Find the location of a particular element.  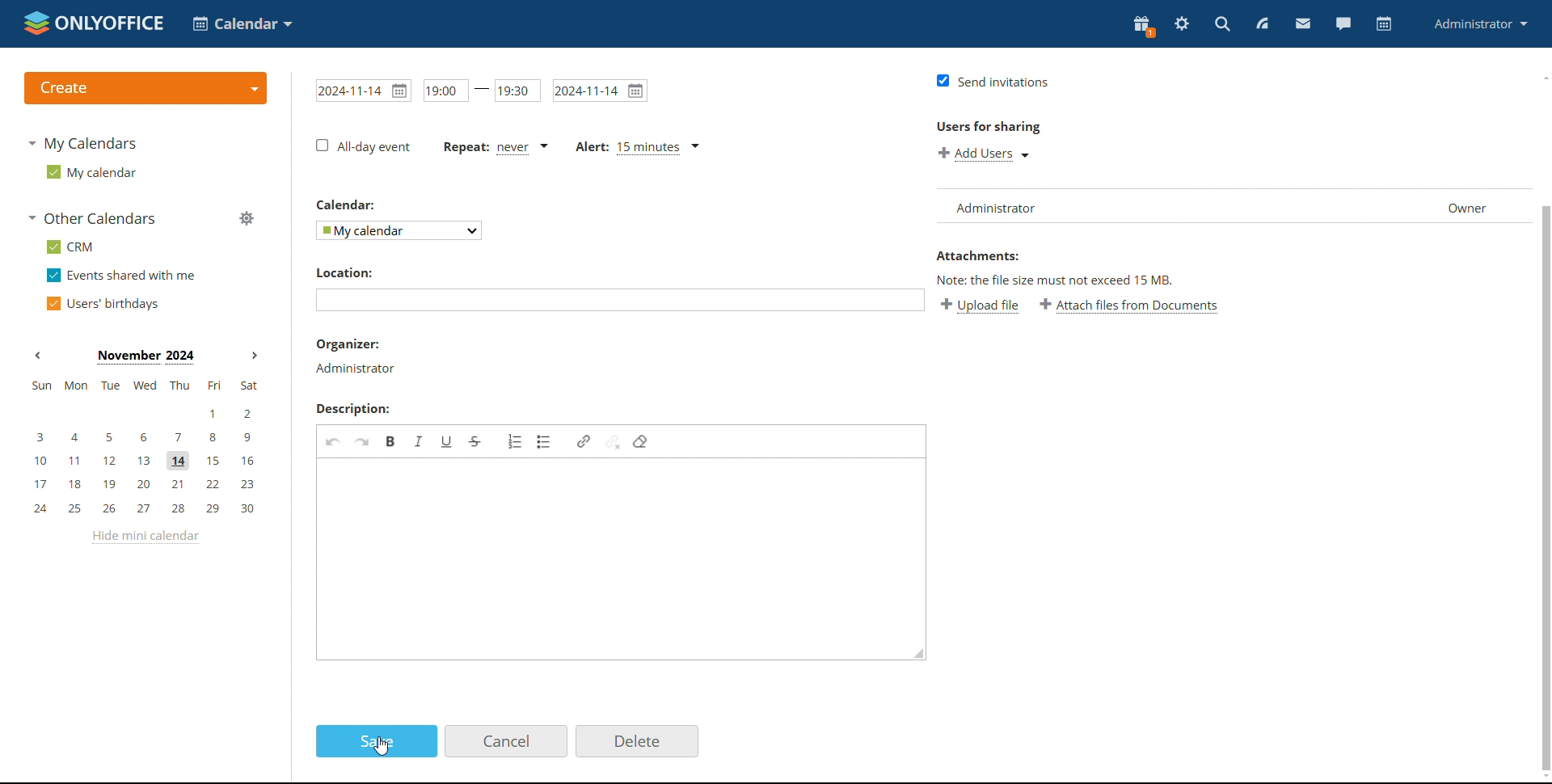

scroll bar is located at coordinates (1542, 367).